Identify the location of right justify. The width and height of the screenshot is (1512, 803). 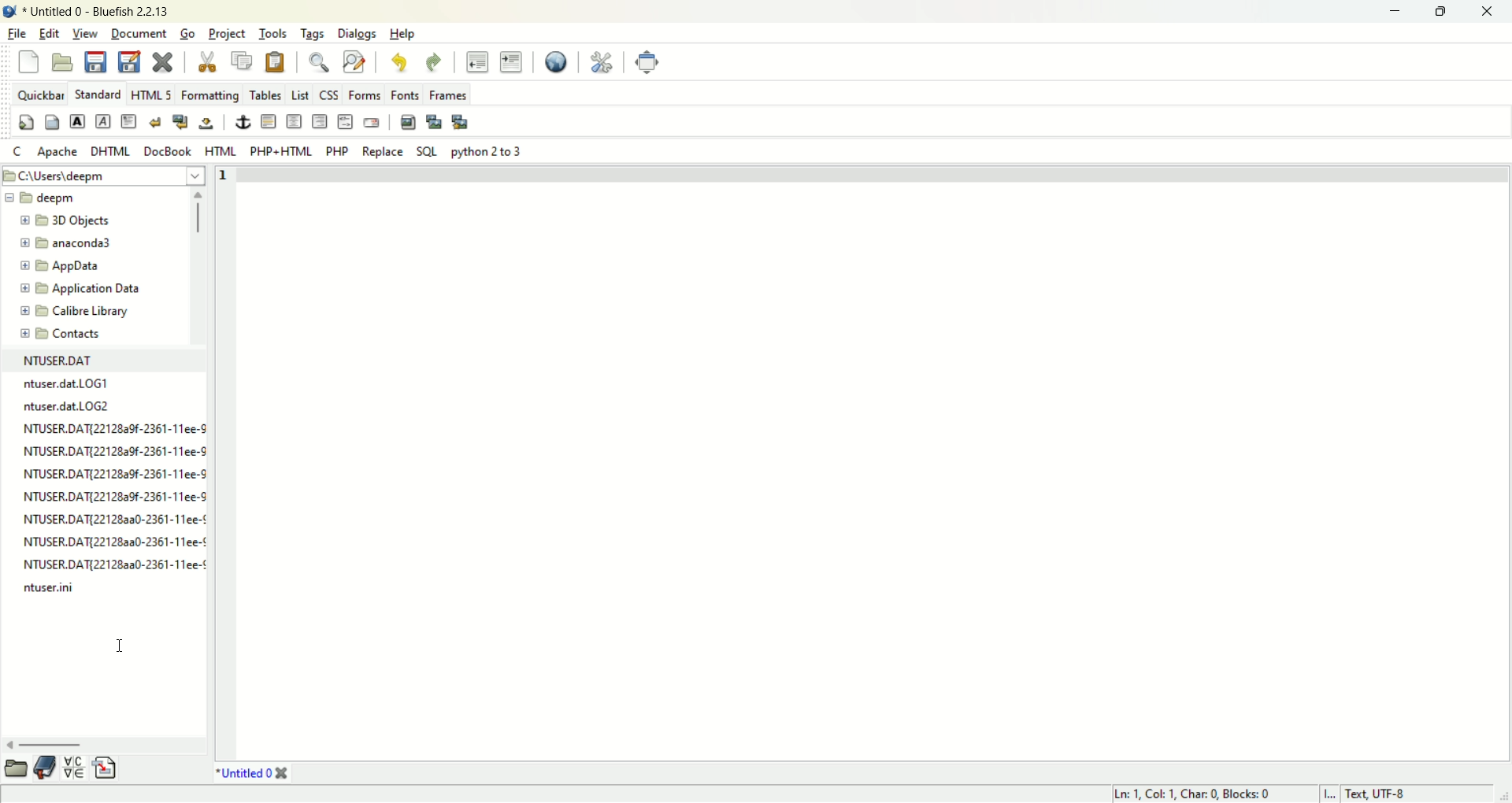
(319, 120).